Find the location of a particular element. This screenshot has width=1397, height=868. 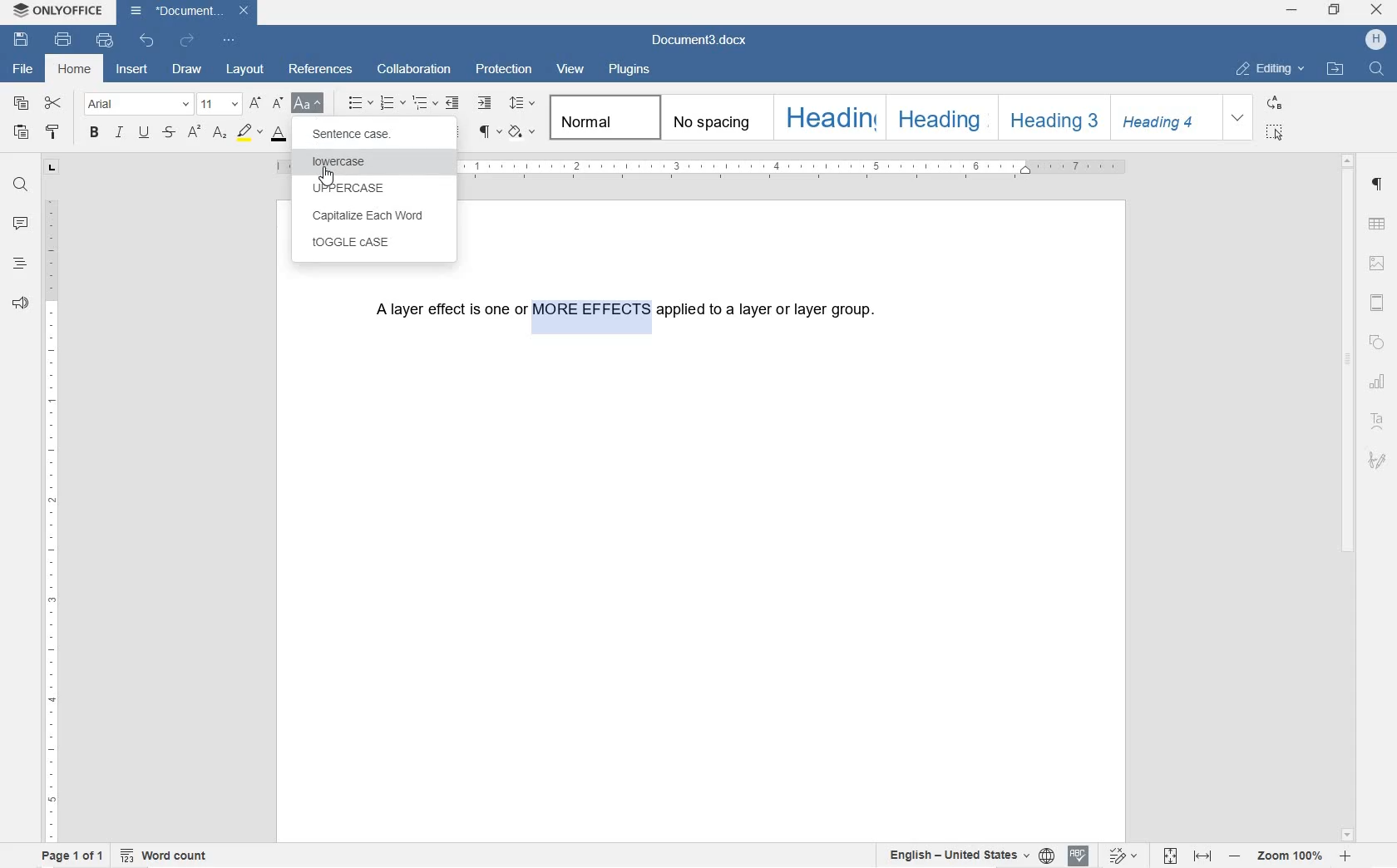

document3.docx is located at coordinates (187, 11).